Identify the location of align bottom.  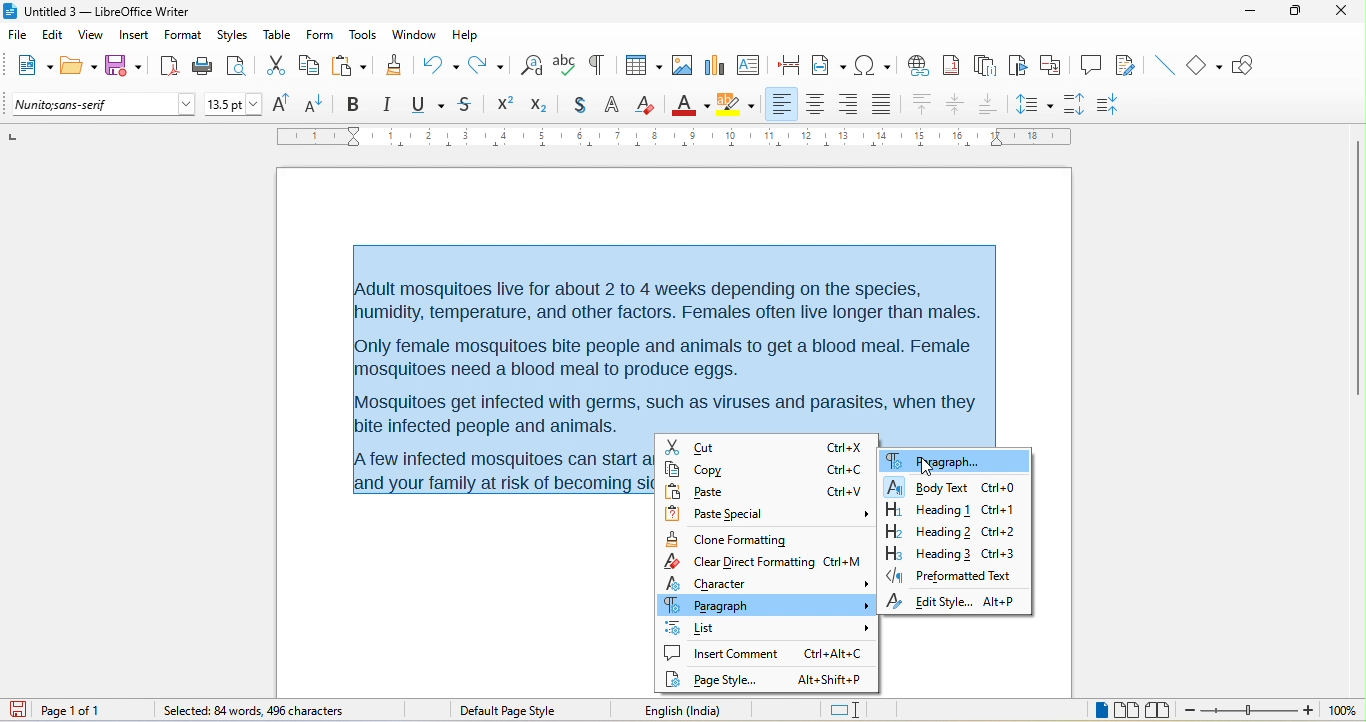
(989, 103).